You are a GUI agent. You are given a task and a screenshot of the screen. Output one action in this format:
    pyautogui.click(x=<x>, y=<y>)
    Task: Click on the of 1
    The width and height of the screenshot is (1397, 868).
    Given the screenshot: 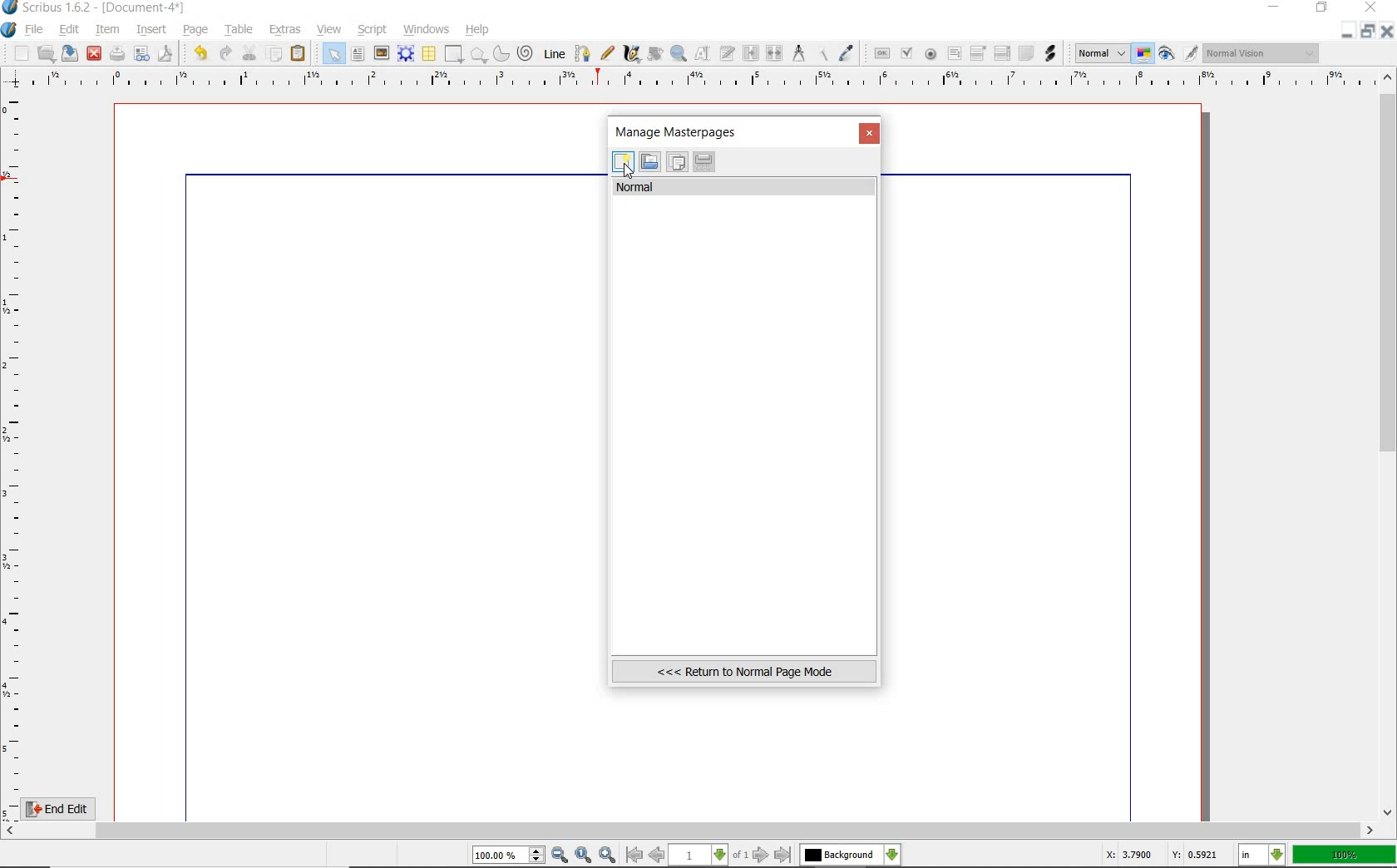 What is the action you would take?
    pyautogui.click(x=740, y=856)
    